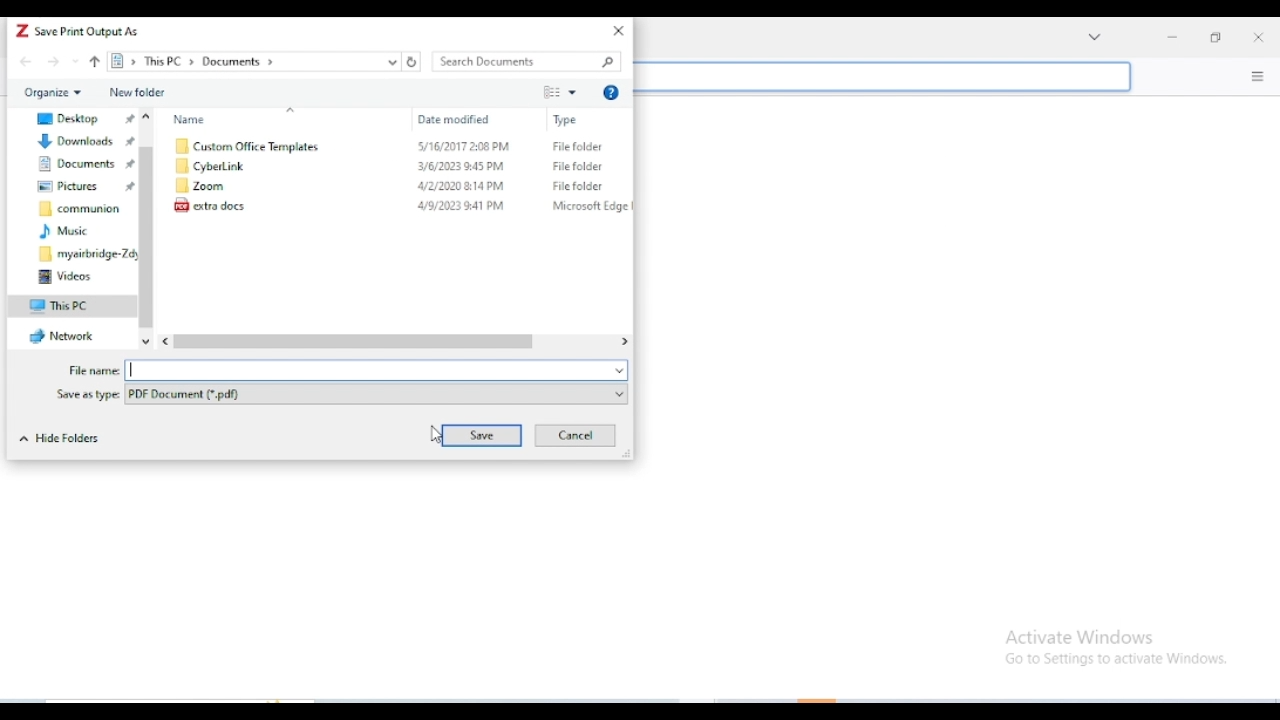 The width and height of the screenshot is (1280, 720). I want to click on Save as type:, so click(87, 395).